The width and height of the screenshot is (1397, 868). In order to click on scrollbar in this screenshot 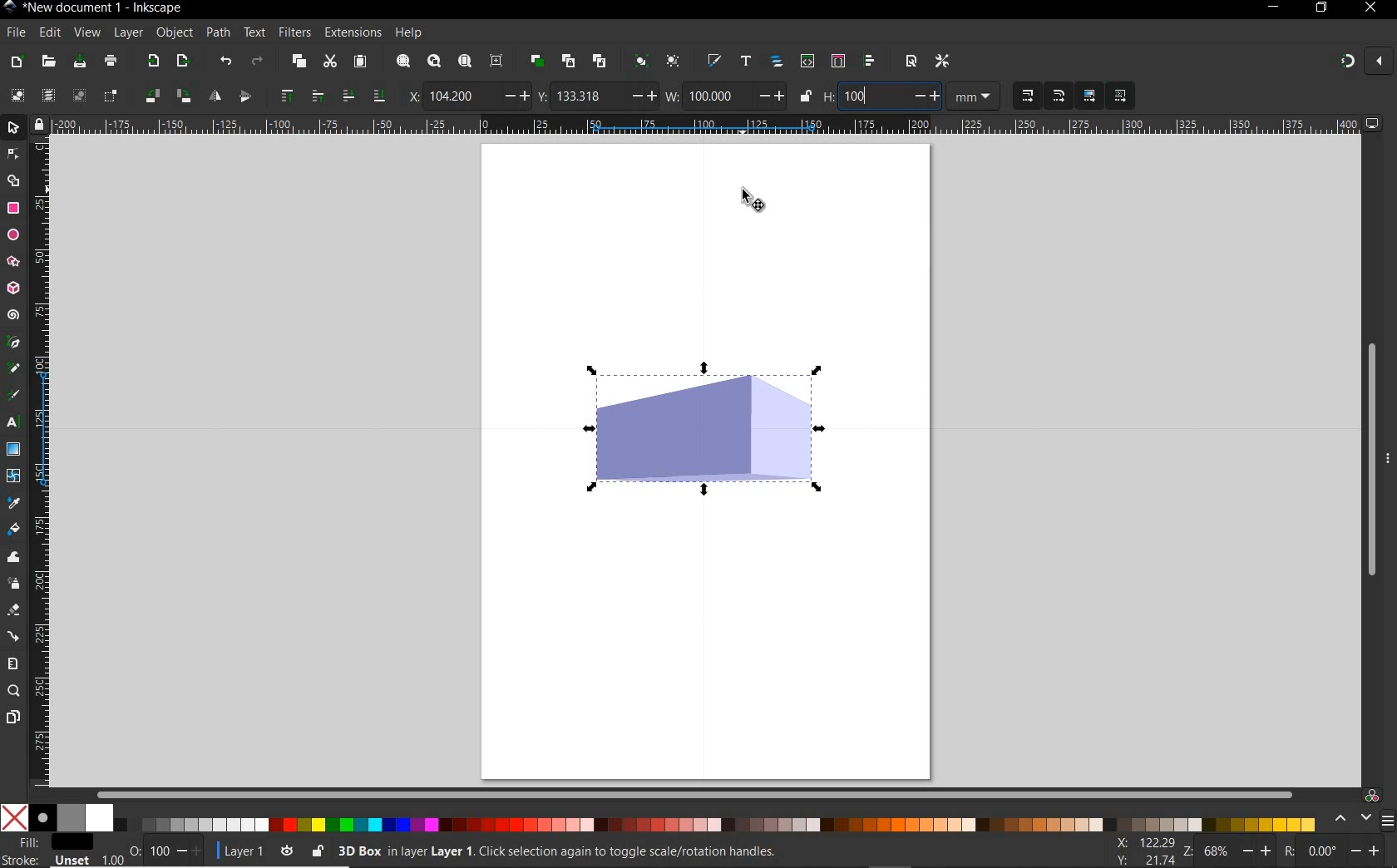, I will do `click(697, 793)`.